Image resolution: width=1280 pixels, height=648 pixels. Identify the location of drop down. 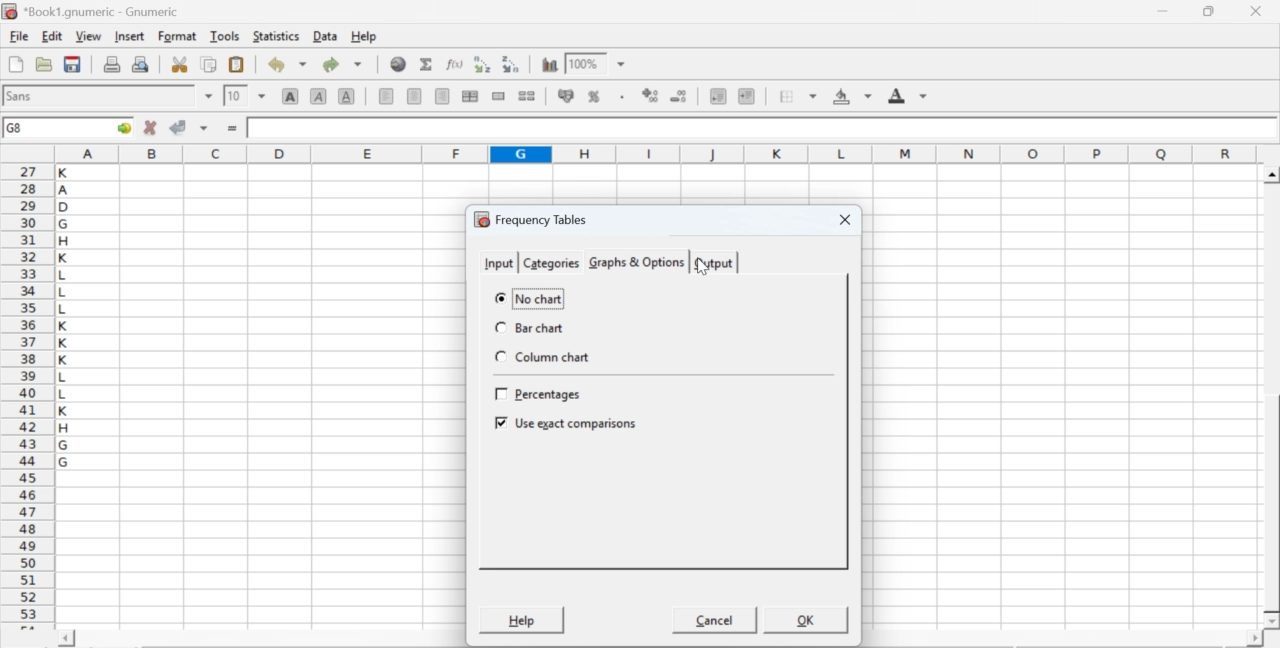
(622, 65).